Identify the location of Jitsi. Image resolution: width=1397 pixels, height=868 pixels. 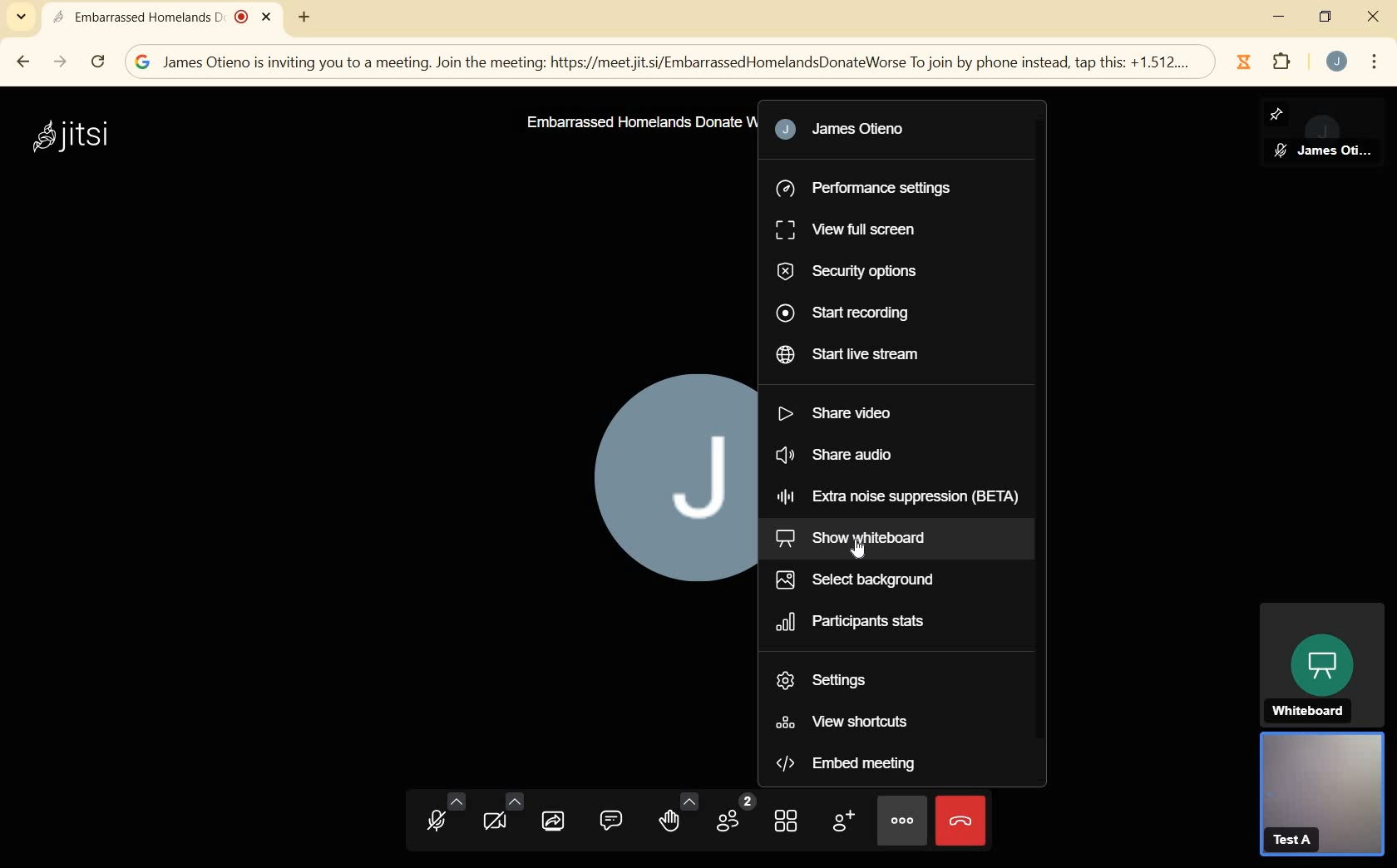
(77, 136).